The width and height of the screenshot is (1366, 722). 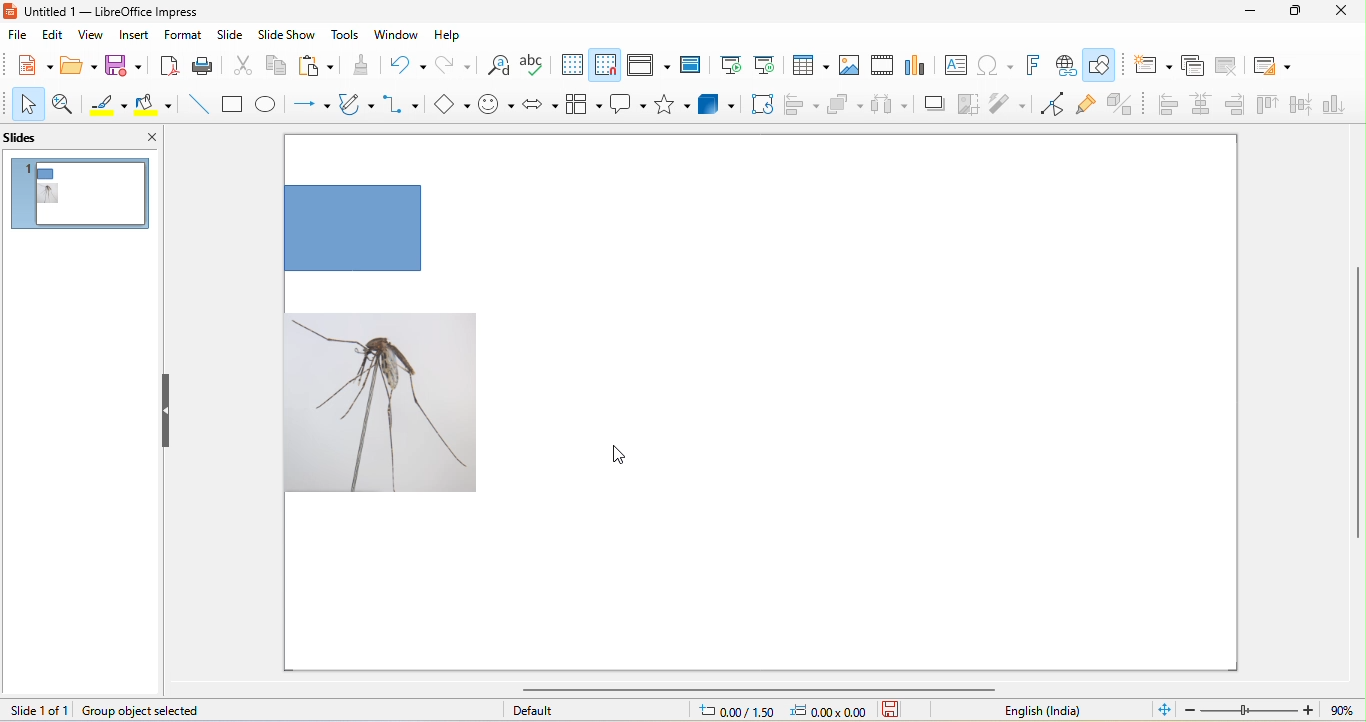 What do you see at coordinates (240, 64) in the screenshot?
I see `cut` at bounding box center [240, 64].